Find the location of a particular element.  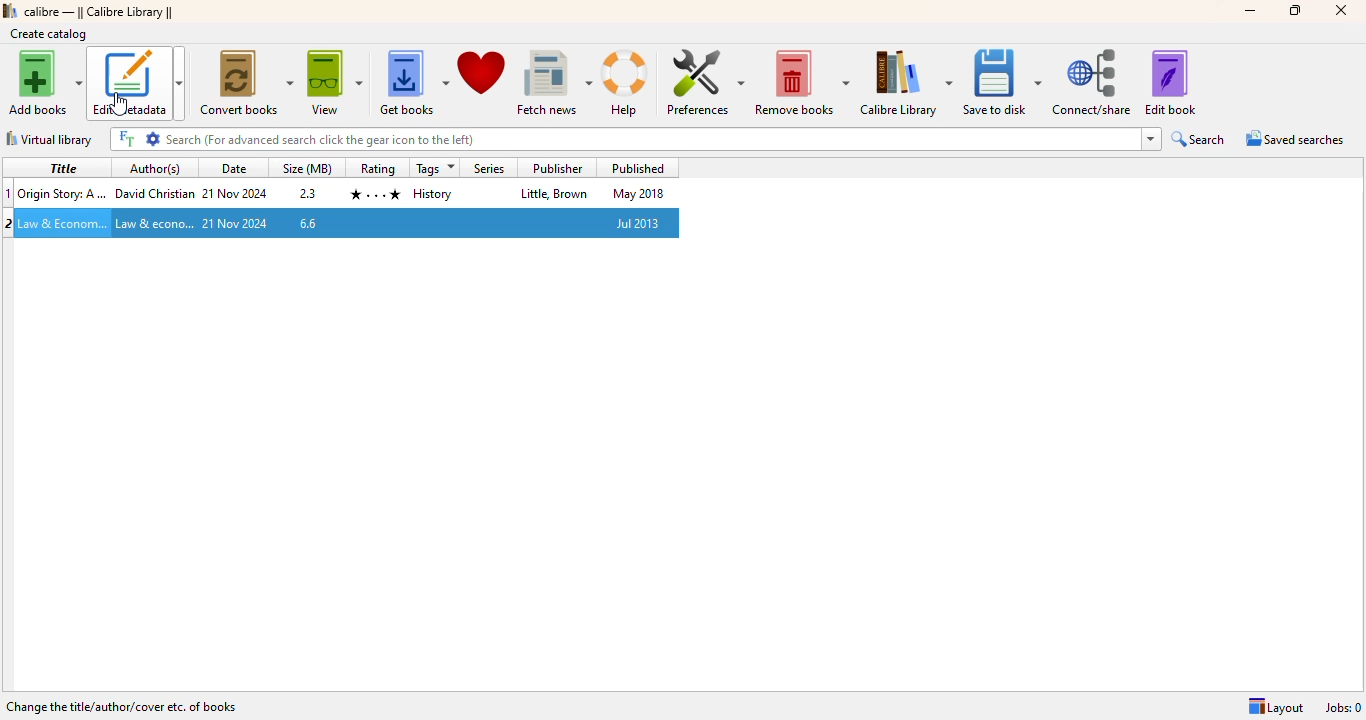

published is located at coordinates (637, 223).